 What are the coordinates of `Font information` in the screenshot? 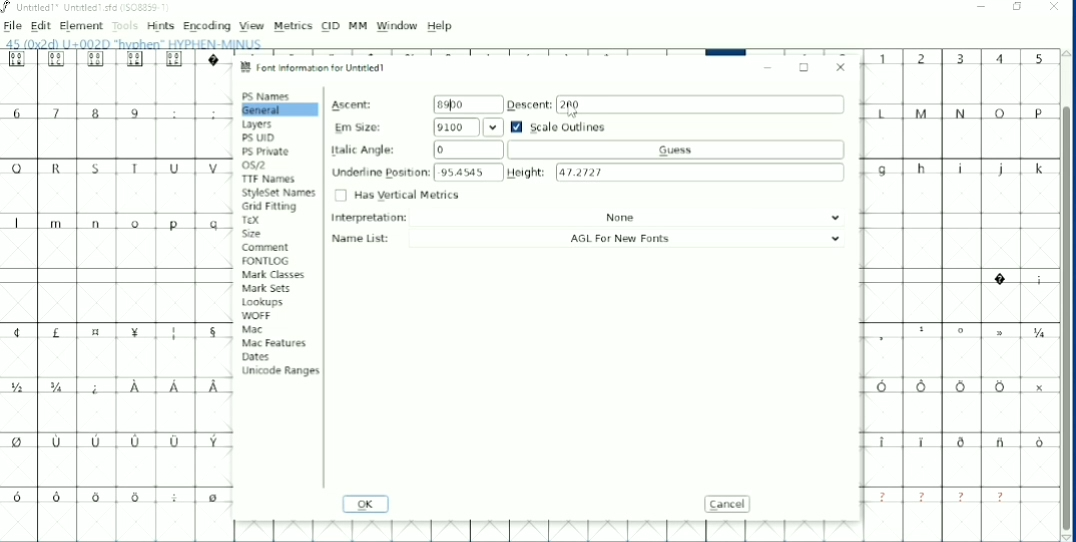 It's located at (317, 67).